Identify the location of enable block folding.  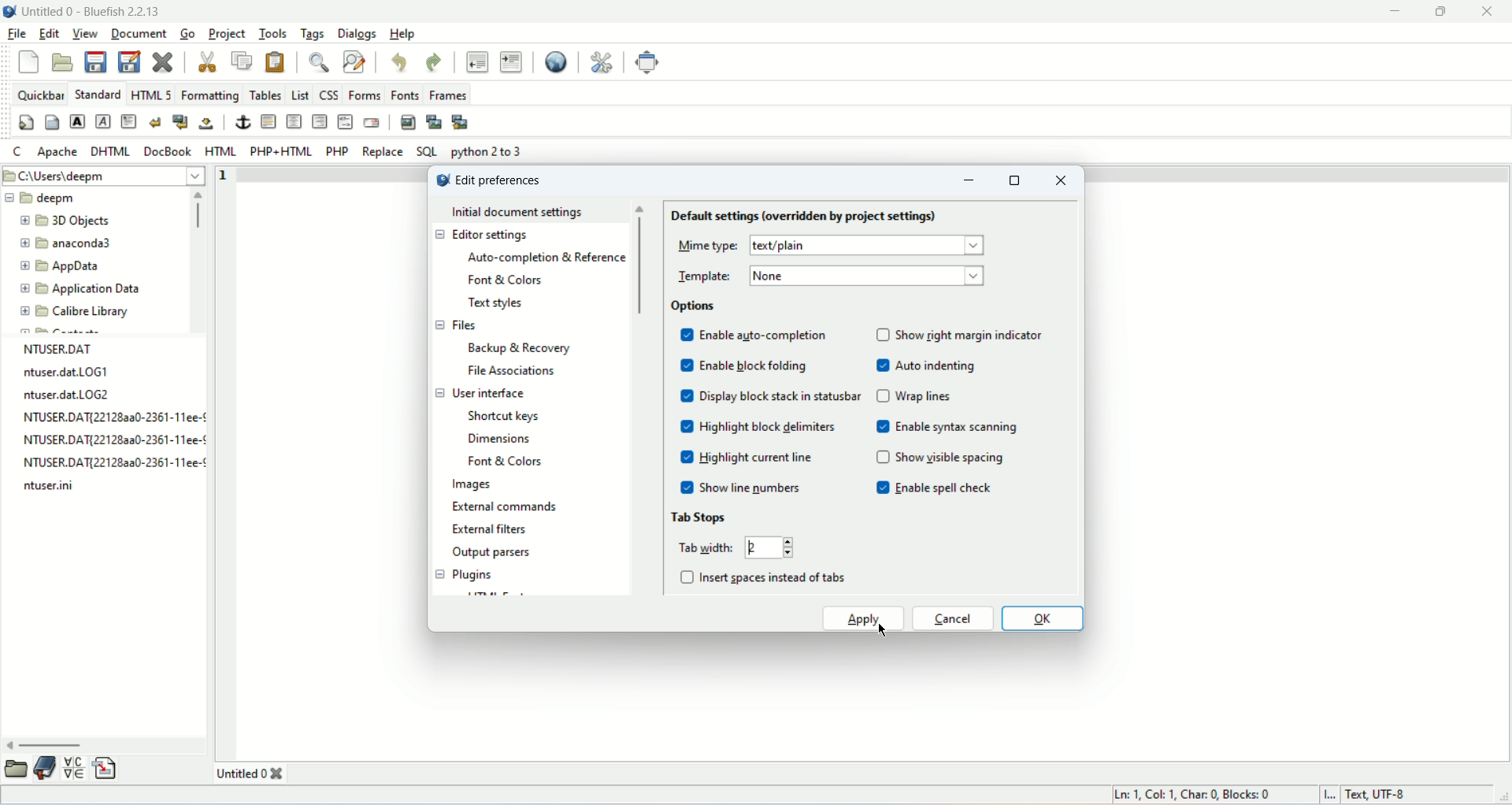
(758, 367).